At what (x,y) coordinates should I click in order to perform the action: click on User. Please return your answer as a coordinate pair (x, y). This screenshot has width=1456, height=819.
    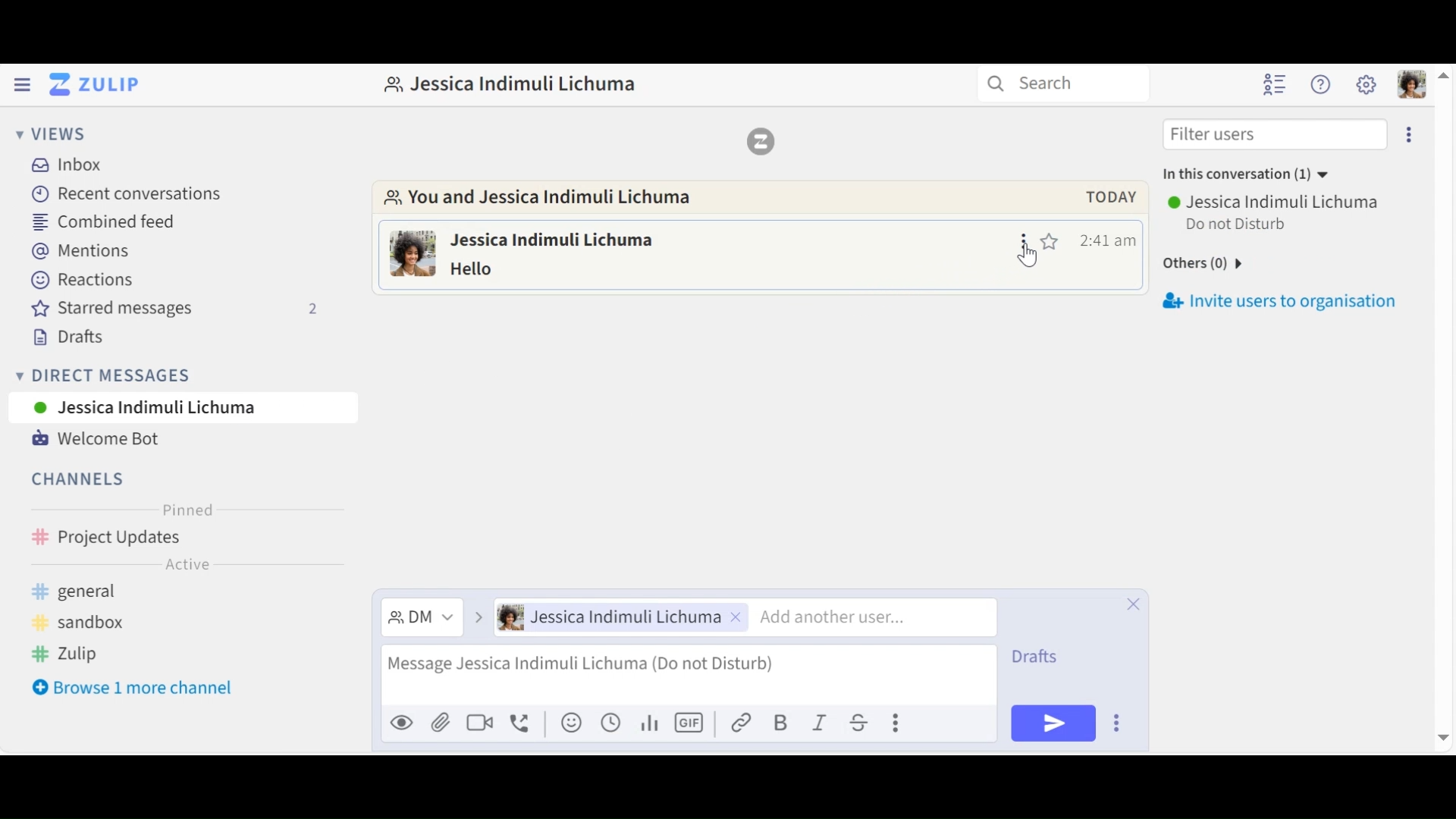
    Looking at the image, I should click on (183, 406).